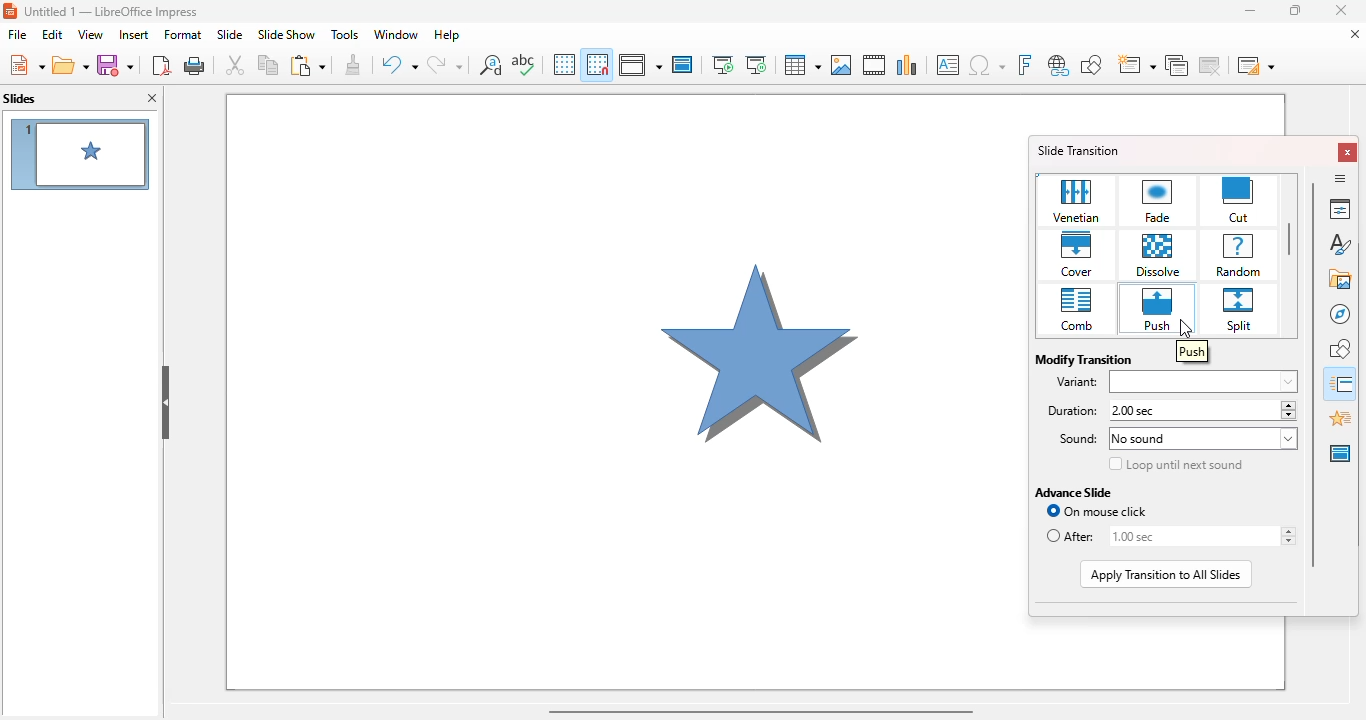  I want to click on Untitled 1 — LibreOffice Impress, so click(114, 12).